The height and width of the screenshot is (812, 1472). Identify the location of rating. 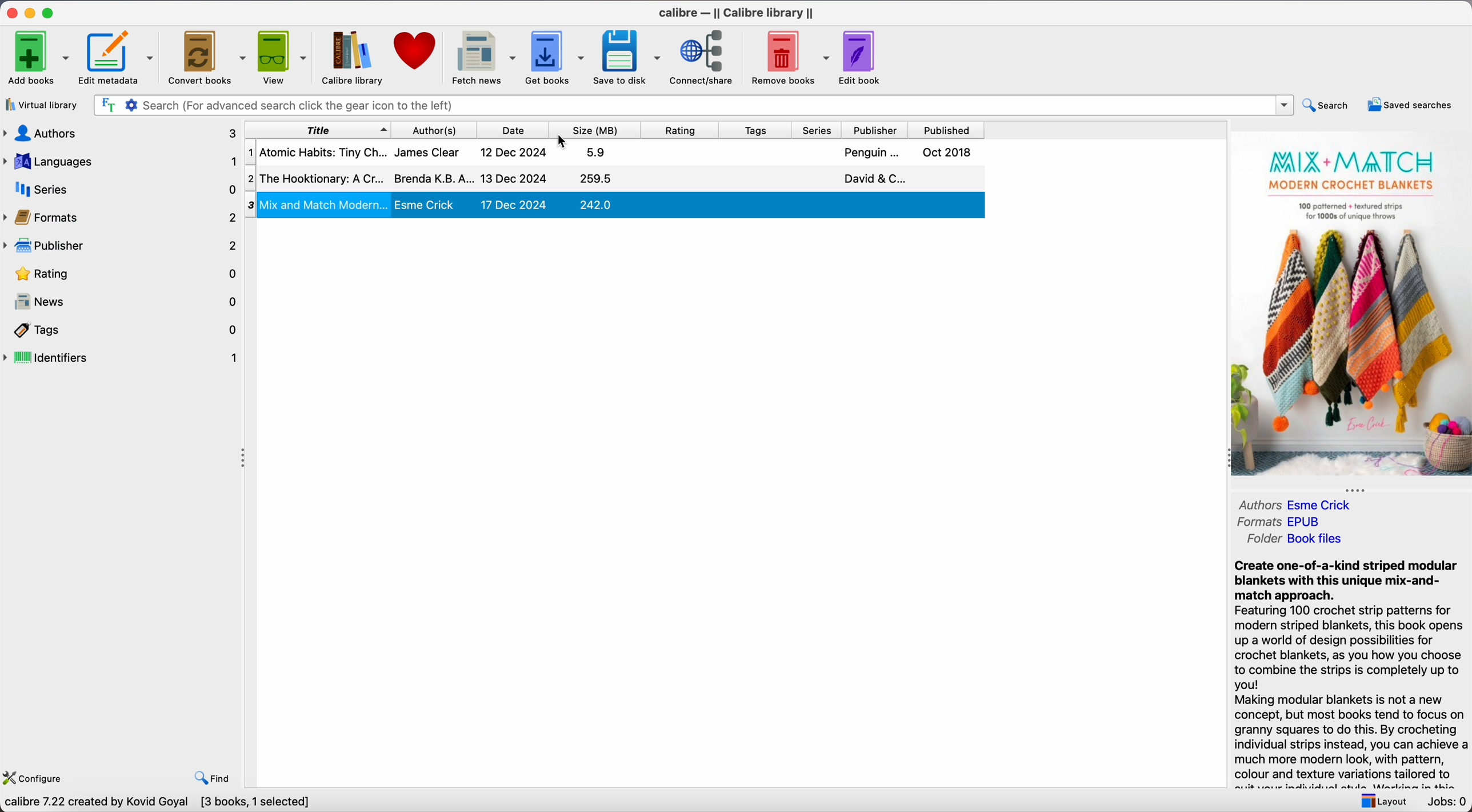
(127, 275).